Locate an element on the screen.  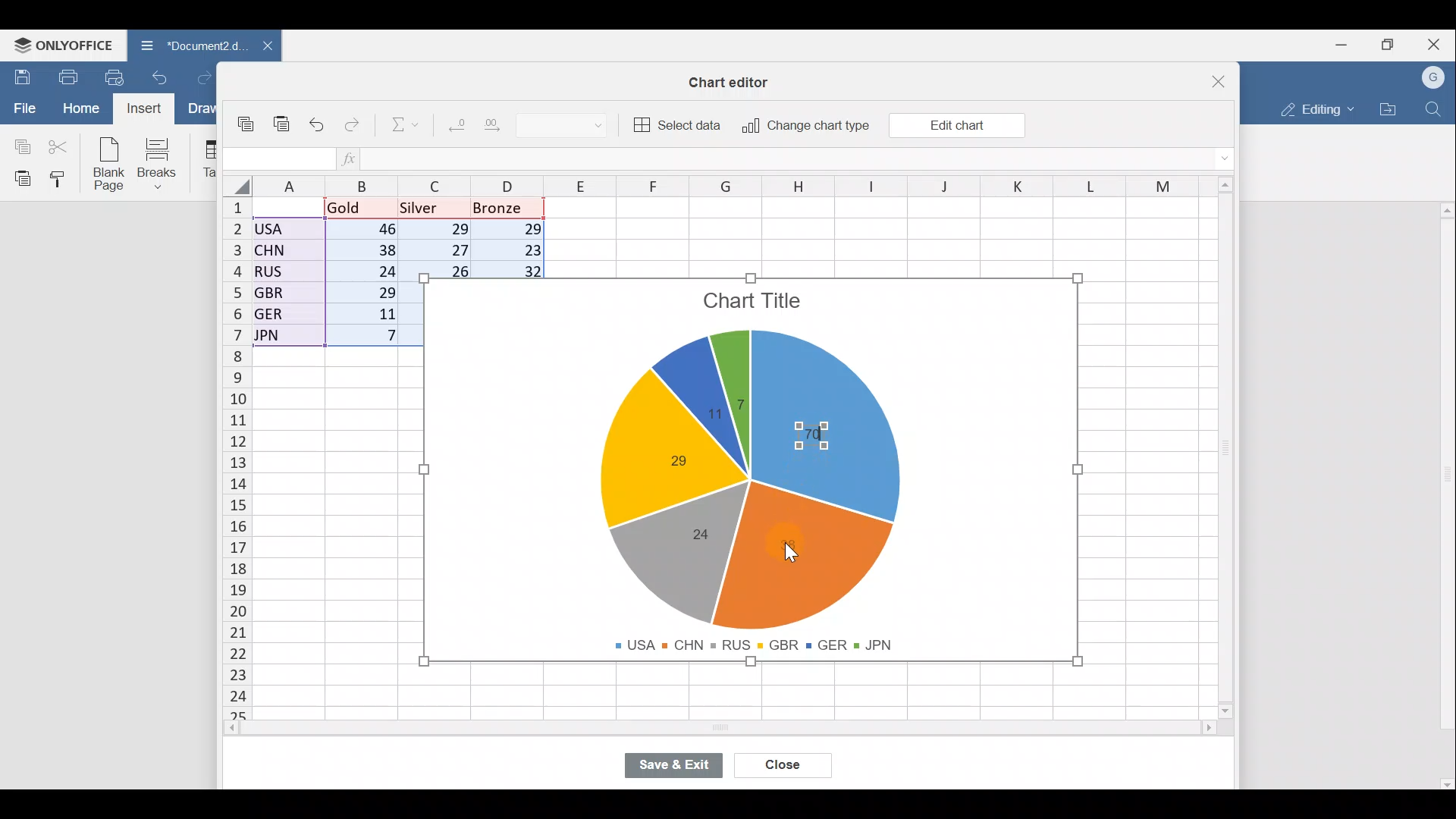
Number format is located at coordinates (568, 123).